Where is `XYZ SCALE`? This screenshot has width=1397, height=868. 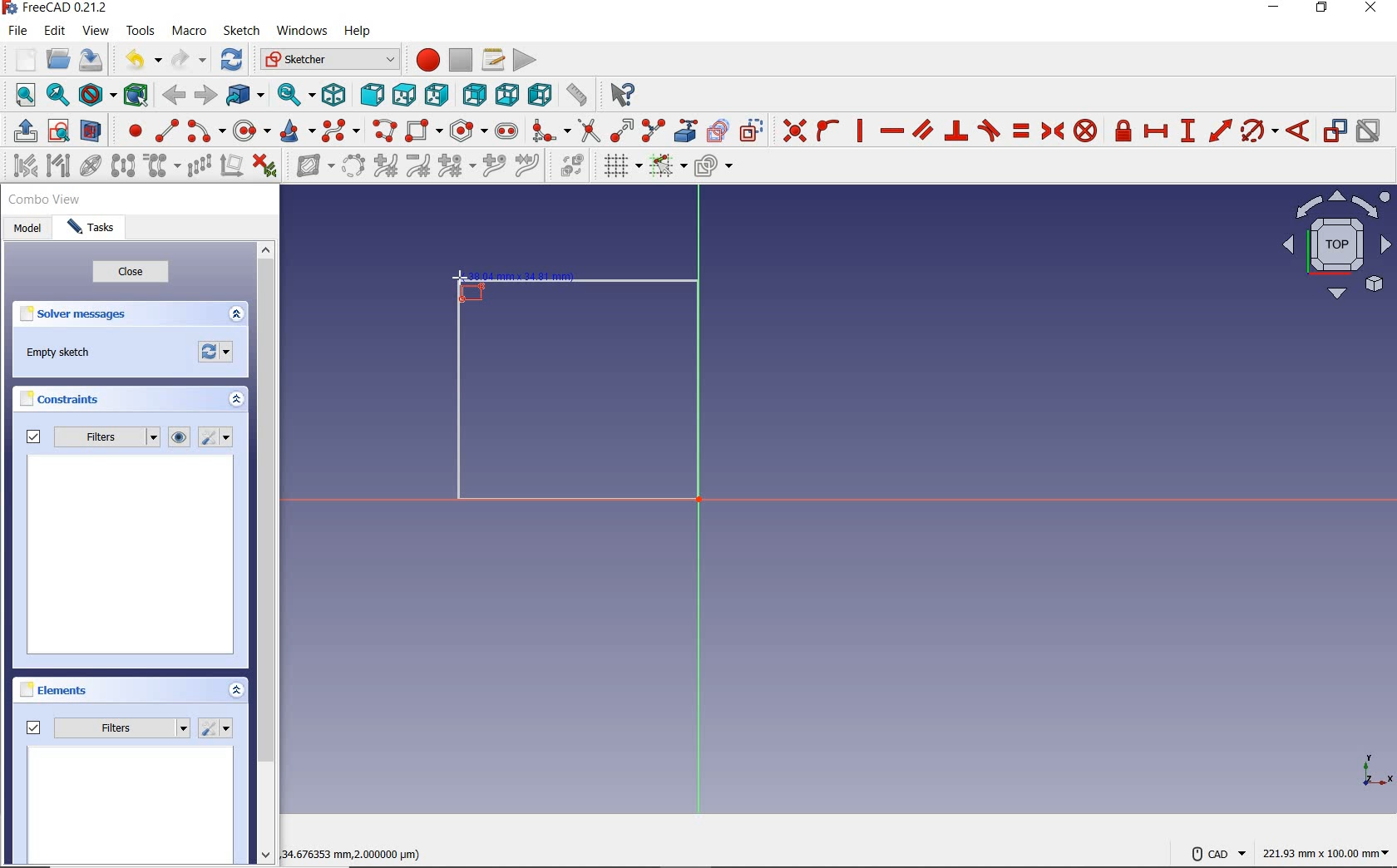 XYZ SCALE is located at coordinates (1376, 771).